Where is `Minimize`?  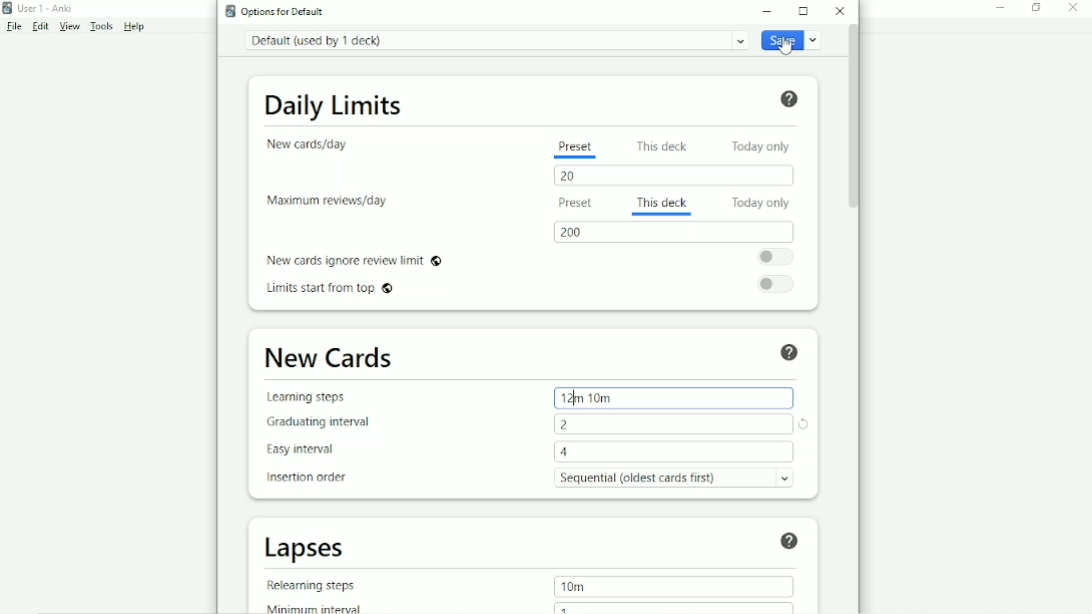
Minimize is located at coordinates (1000, 10).